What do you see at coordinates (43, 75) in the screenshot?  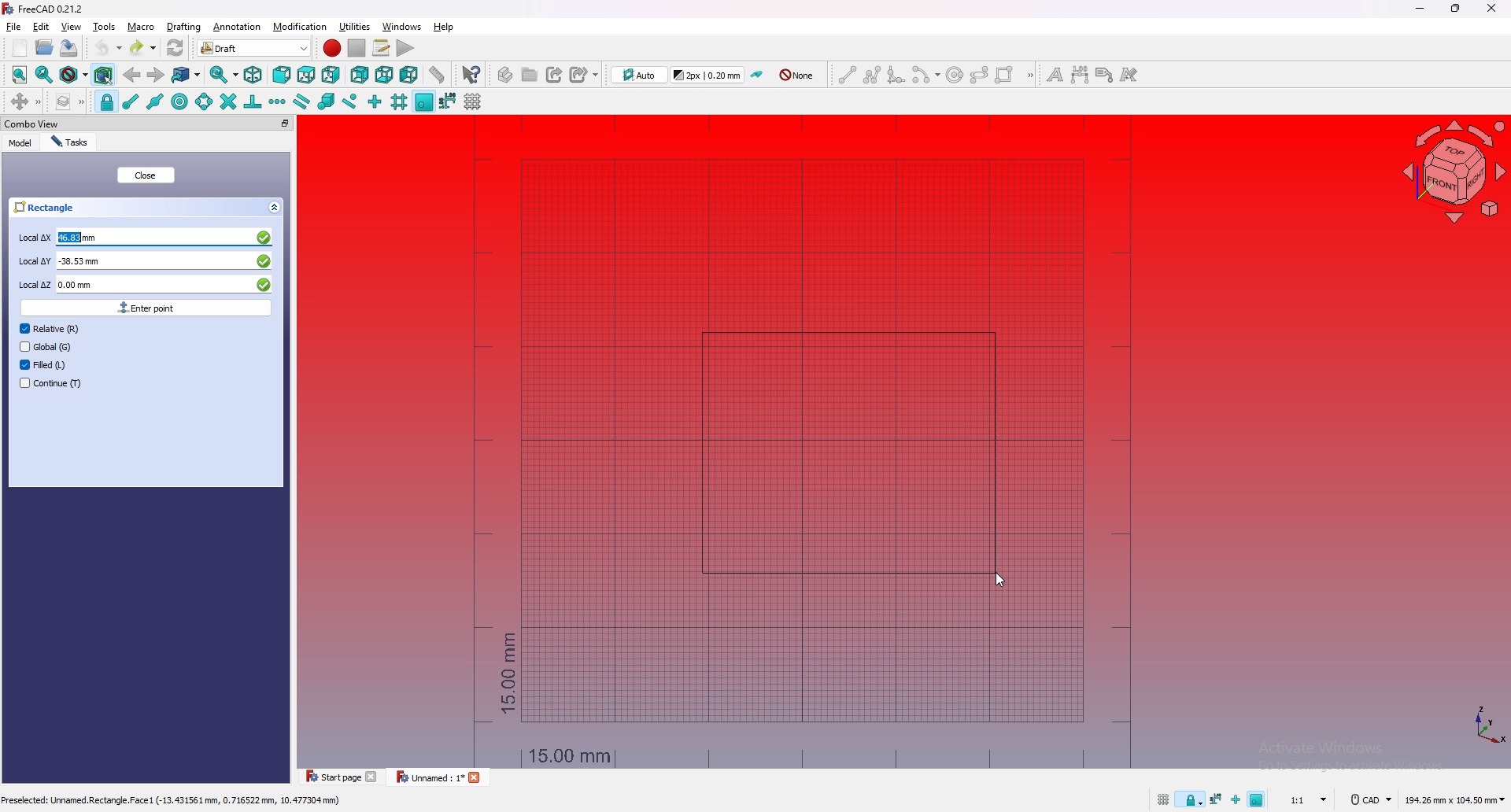 I see `fit all selection` at bounding box center [43, 75].